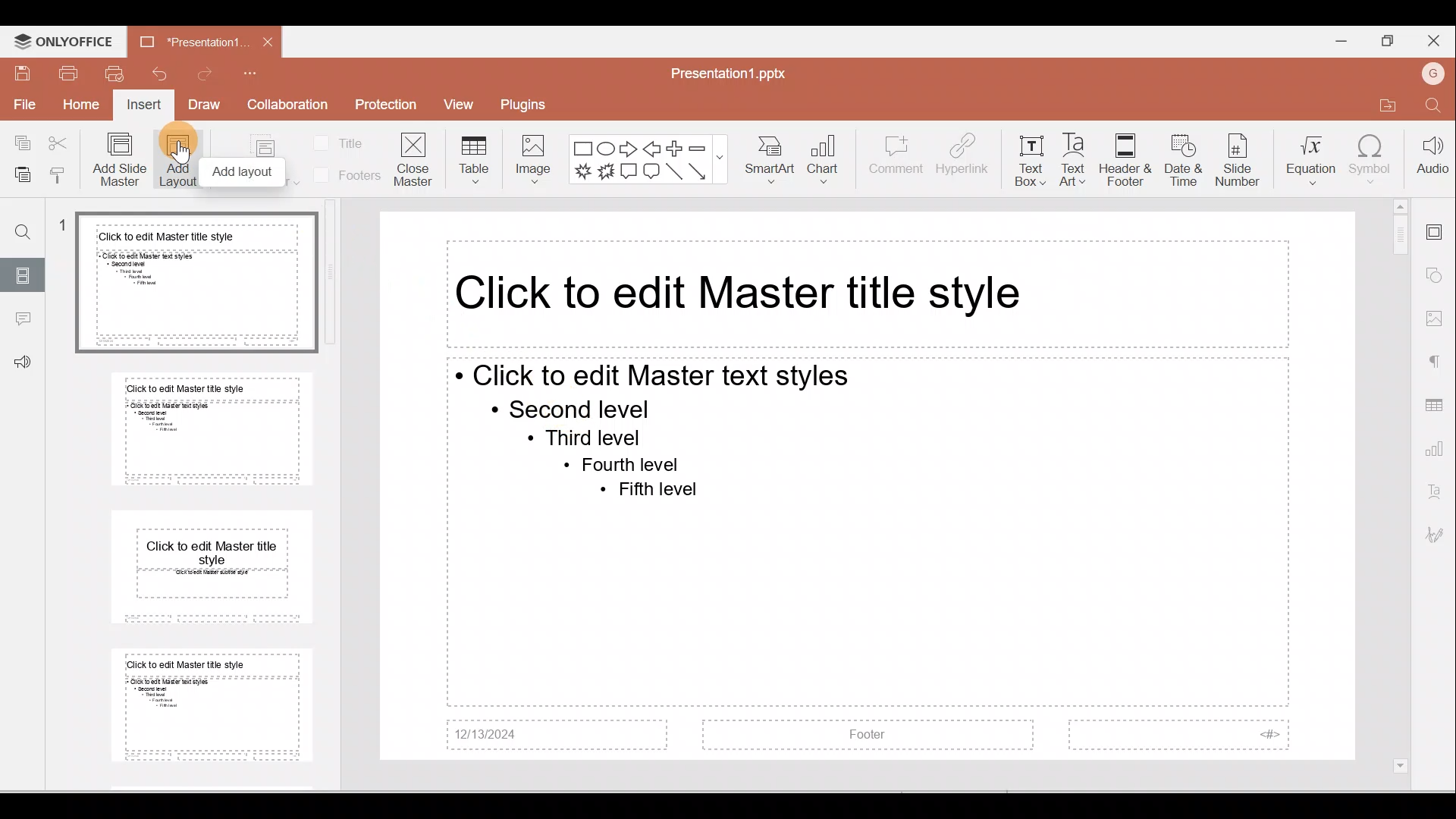  Describe the element at coordinates (212, 564) in the screenshot. I see `Master slide 3` at that location.